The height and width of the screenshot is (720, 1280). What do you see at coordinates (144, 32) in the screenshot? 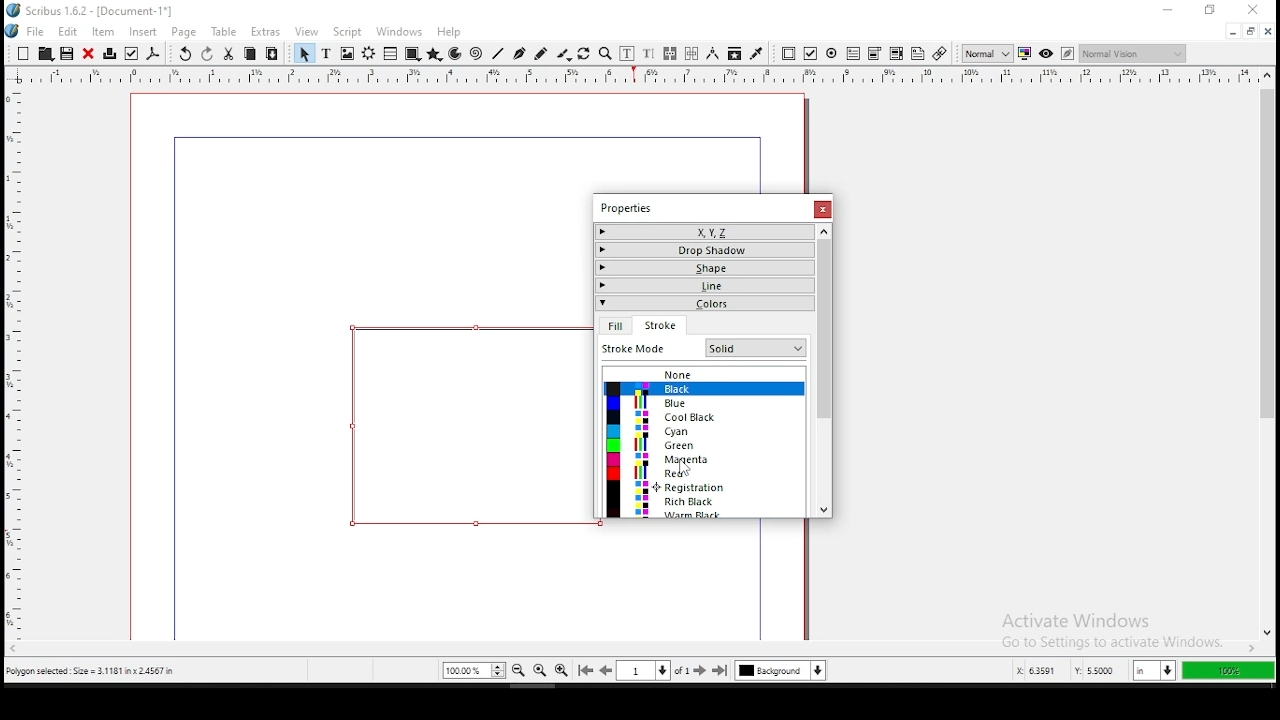
I see `insert` at bounding box center [144, 32].